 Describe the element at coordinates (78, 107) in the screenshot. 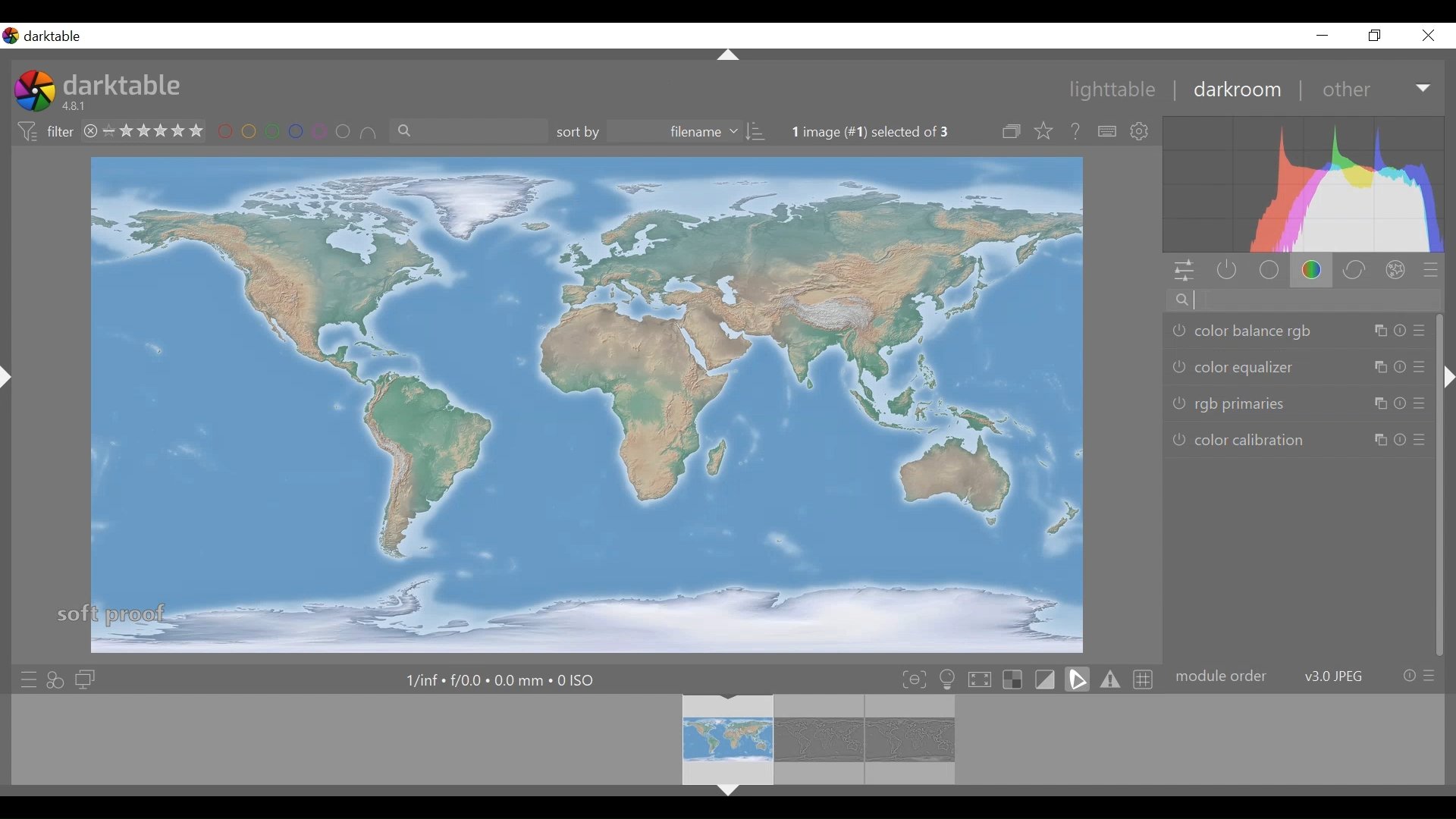

I see `Version` at that location.